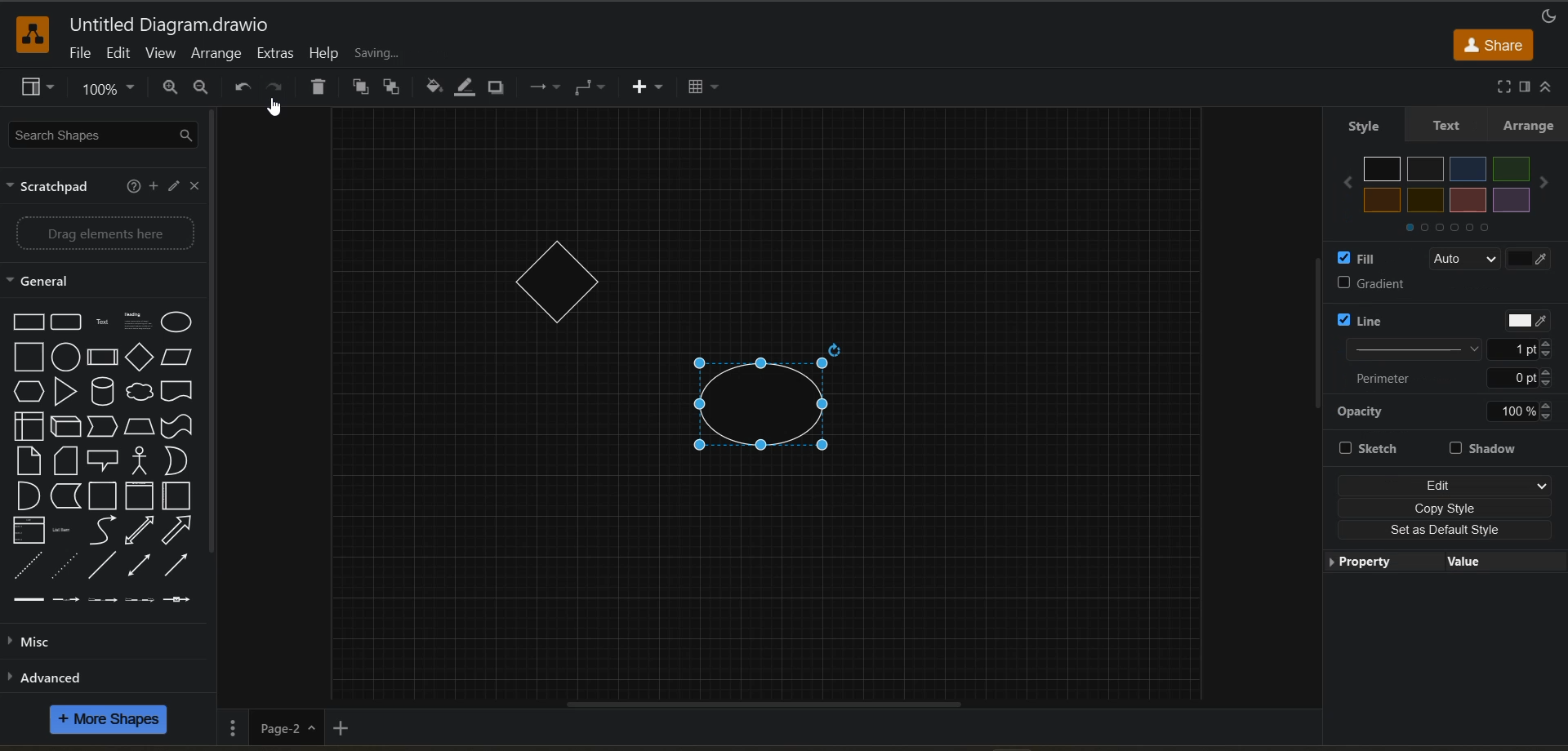 The image size is (1568, 751). What do you see at coordinates (1448, 129) in the screenshot?
I see `text` at bounding box center [1448, 129].